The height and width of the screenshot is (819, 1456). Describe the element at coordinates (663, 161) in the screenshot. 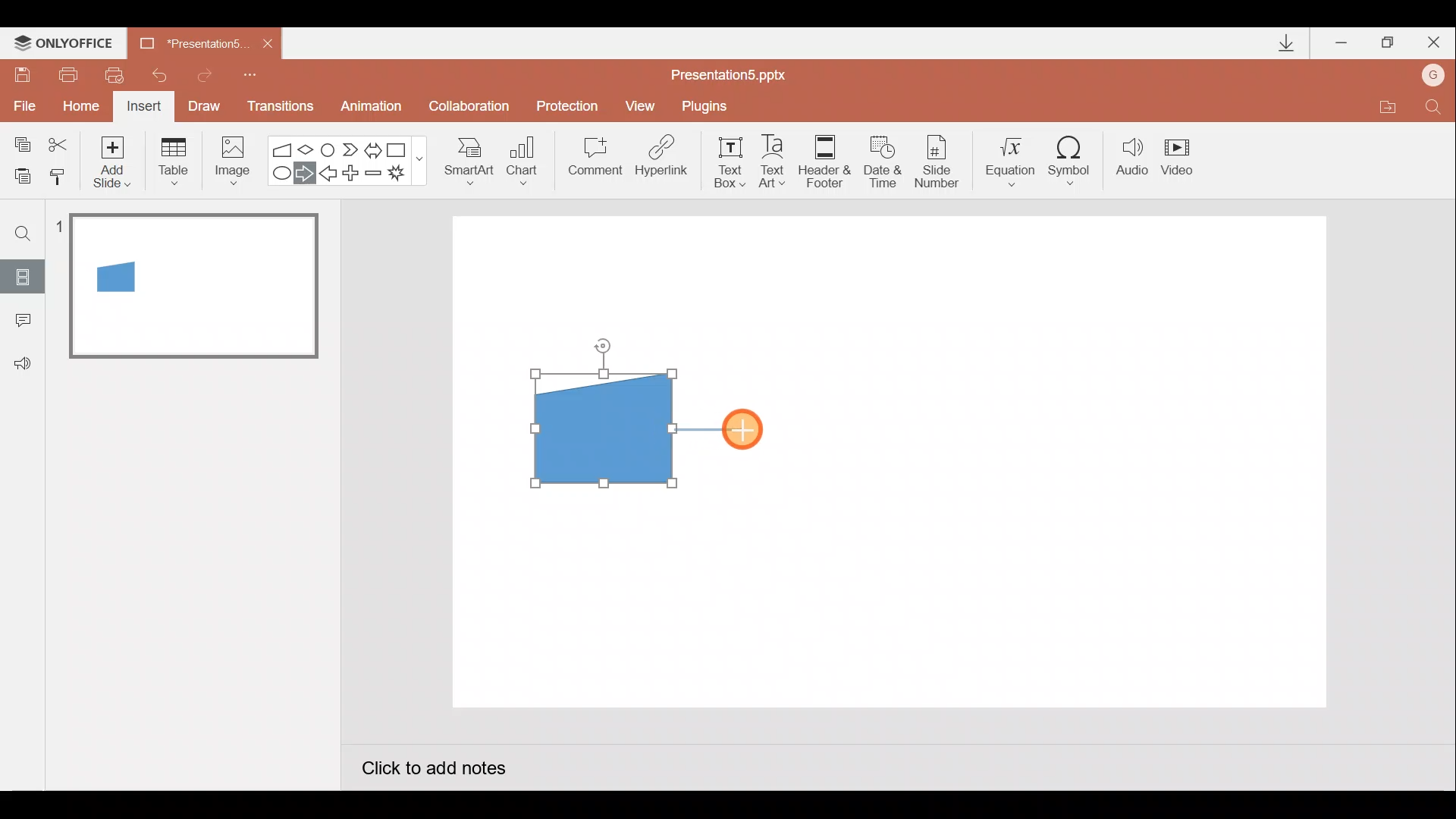

I see `Hyperlink` at that location.